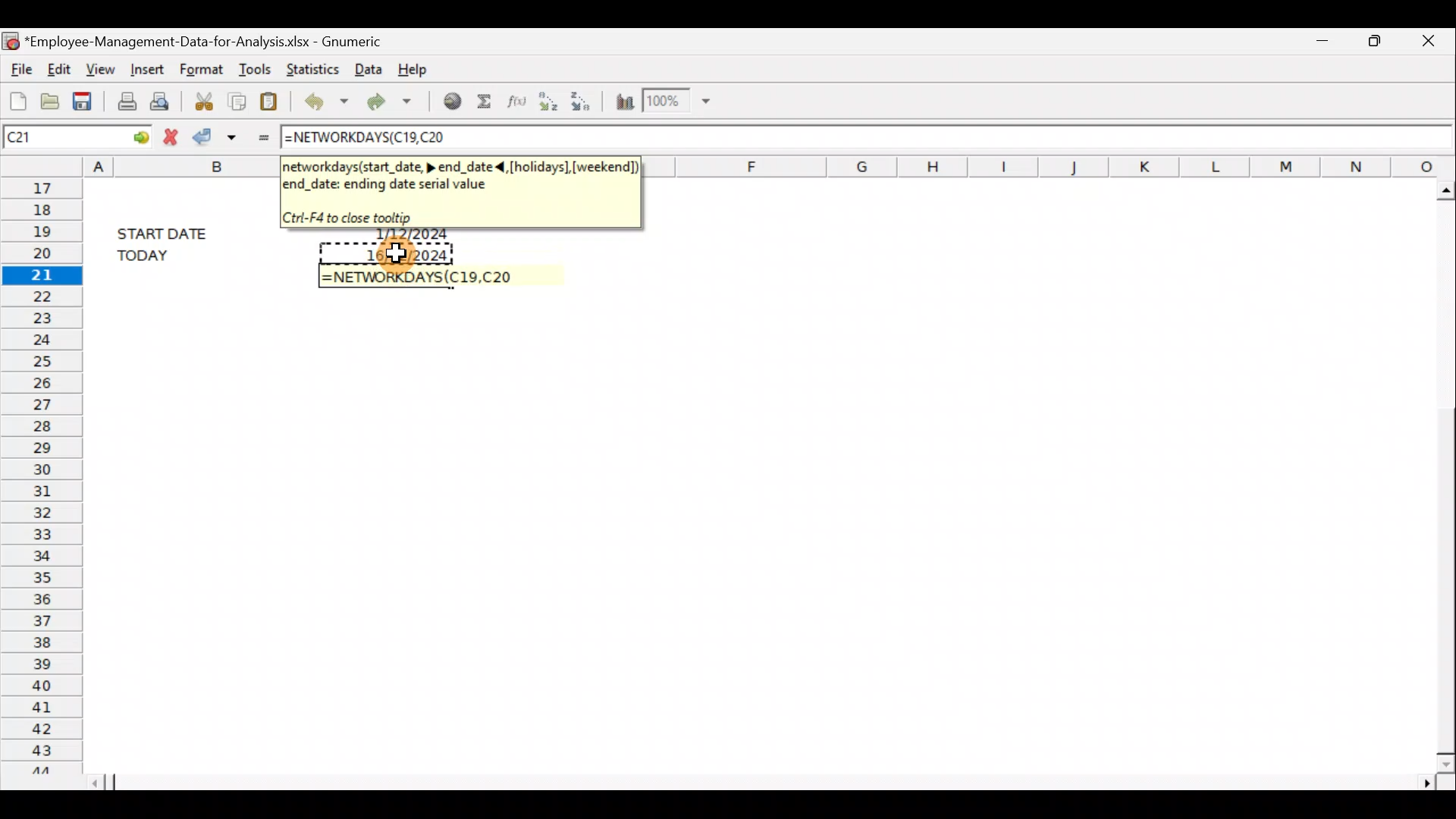 This screenshot has width=1456, height=819. What do you see at coordinates (955, 140) in the screenshot?
I see `Formula bar` at bounding box center [955, 140].